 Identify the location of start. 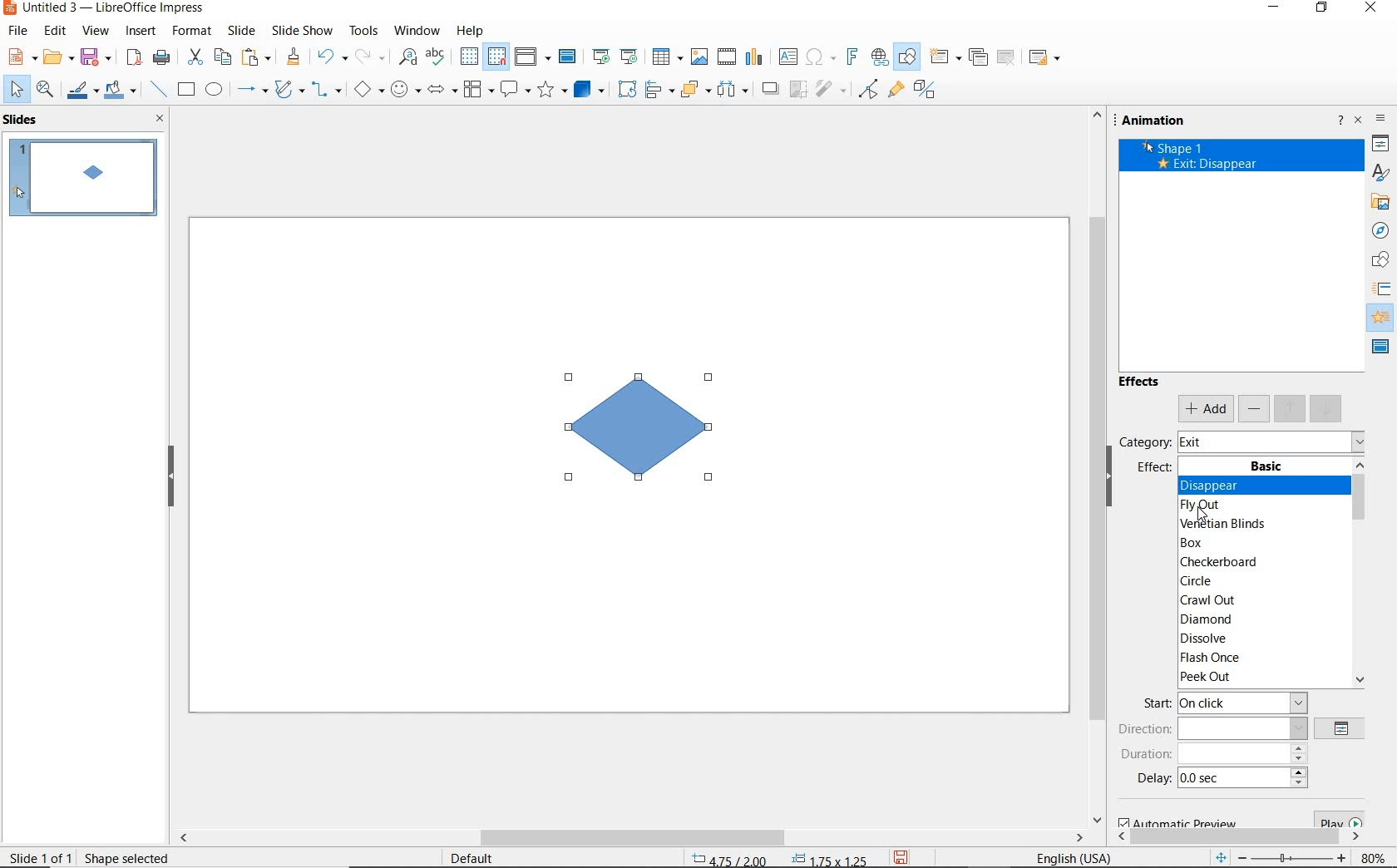
(1224, 703).